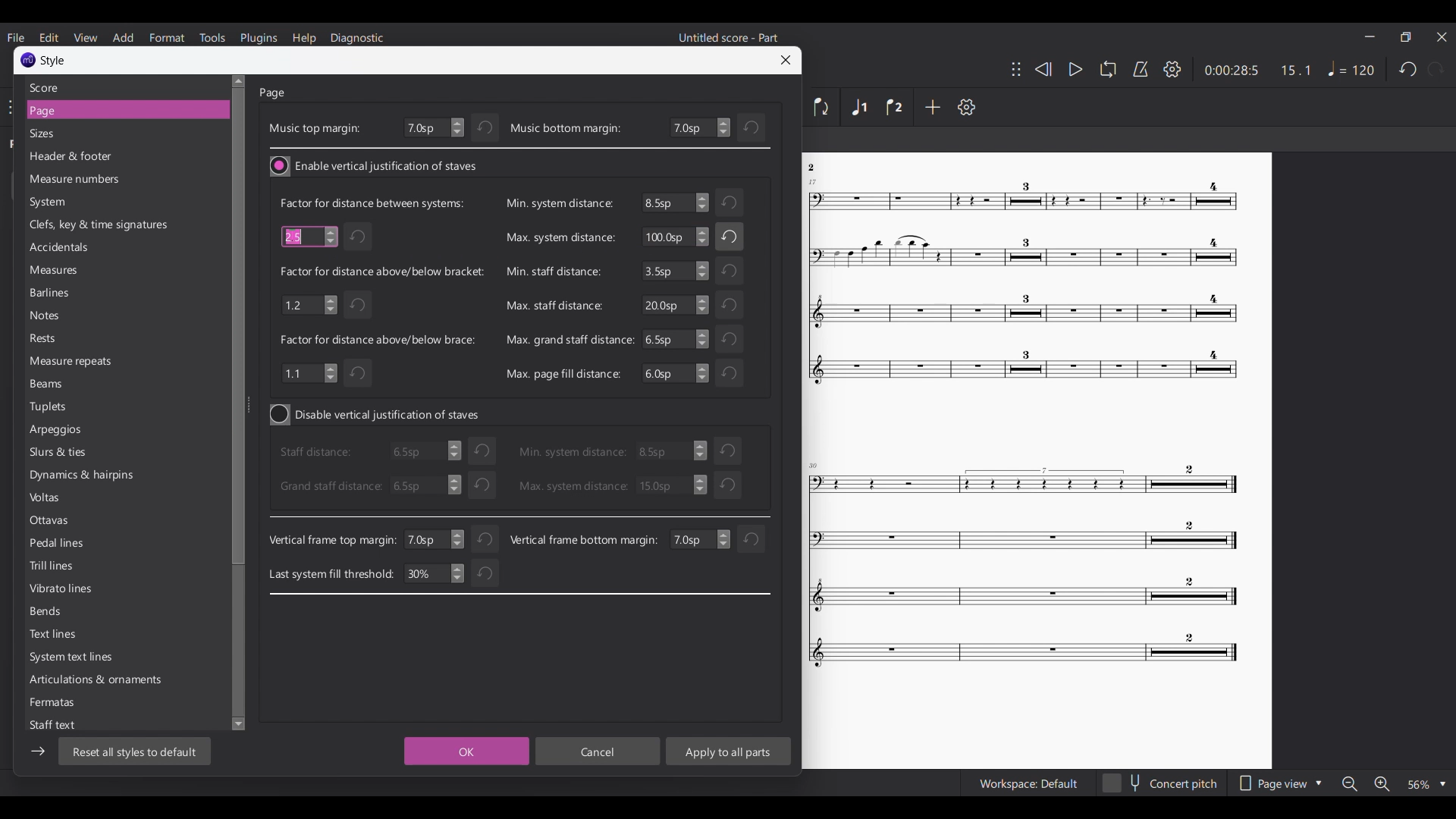  Describe the element at coordinates (486, 536) in the screenshot. I see `Undo` at that location.